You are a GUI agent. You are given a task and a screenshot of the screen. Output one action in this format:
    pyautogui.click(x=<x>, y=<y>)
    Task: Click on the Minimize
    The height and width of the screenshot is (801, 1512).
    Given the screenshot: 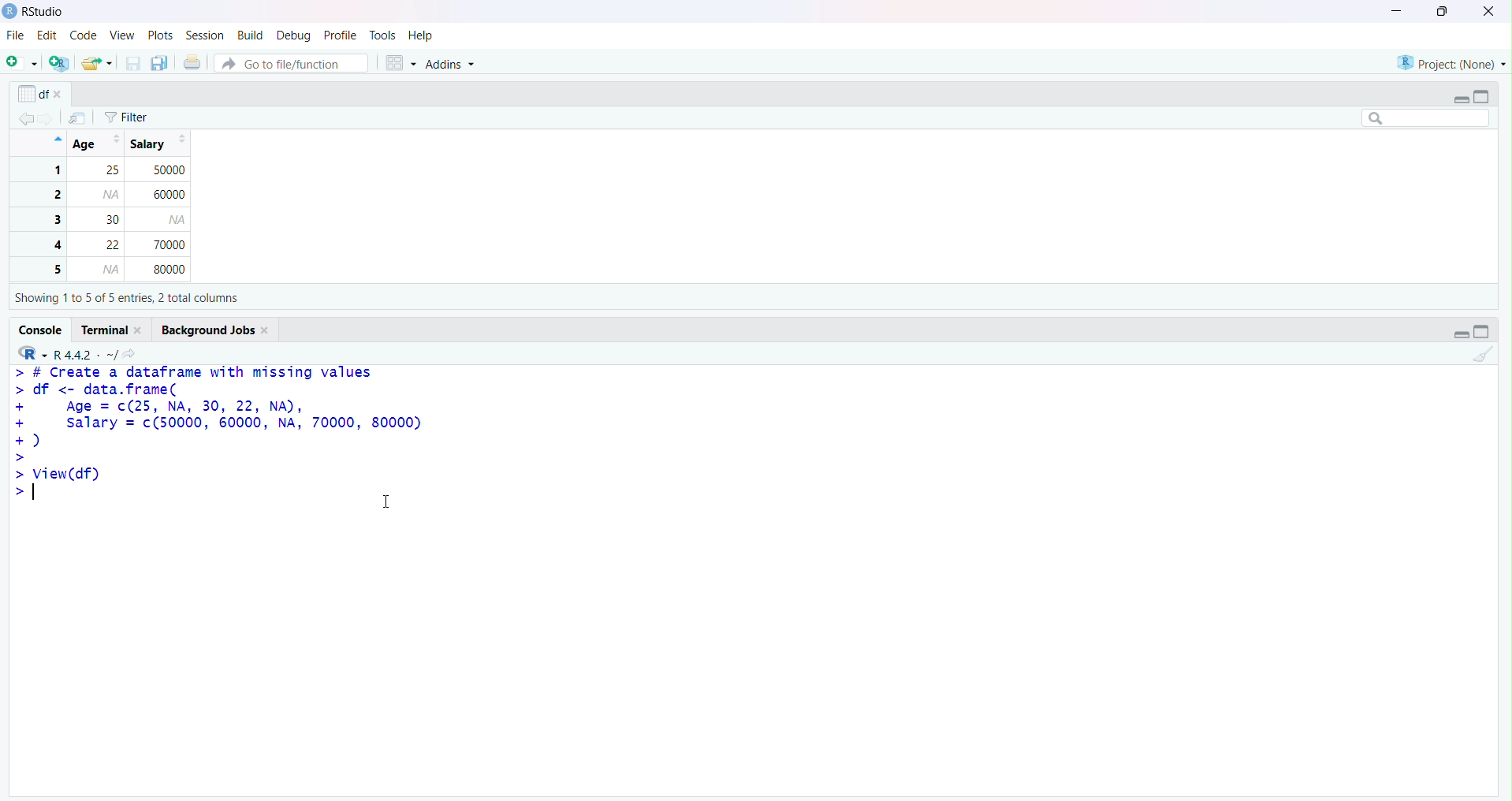 What is the action you would take?
    pyautogui.click(x=1395, y=10)
    